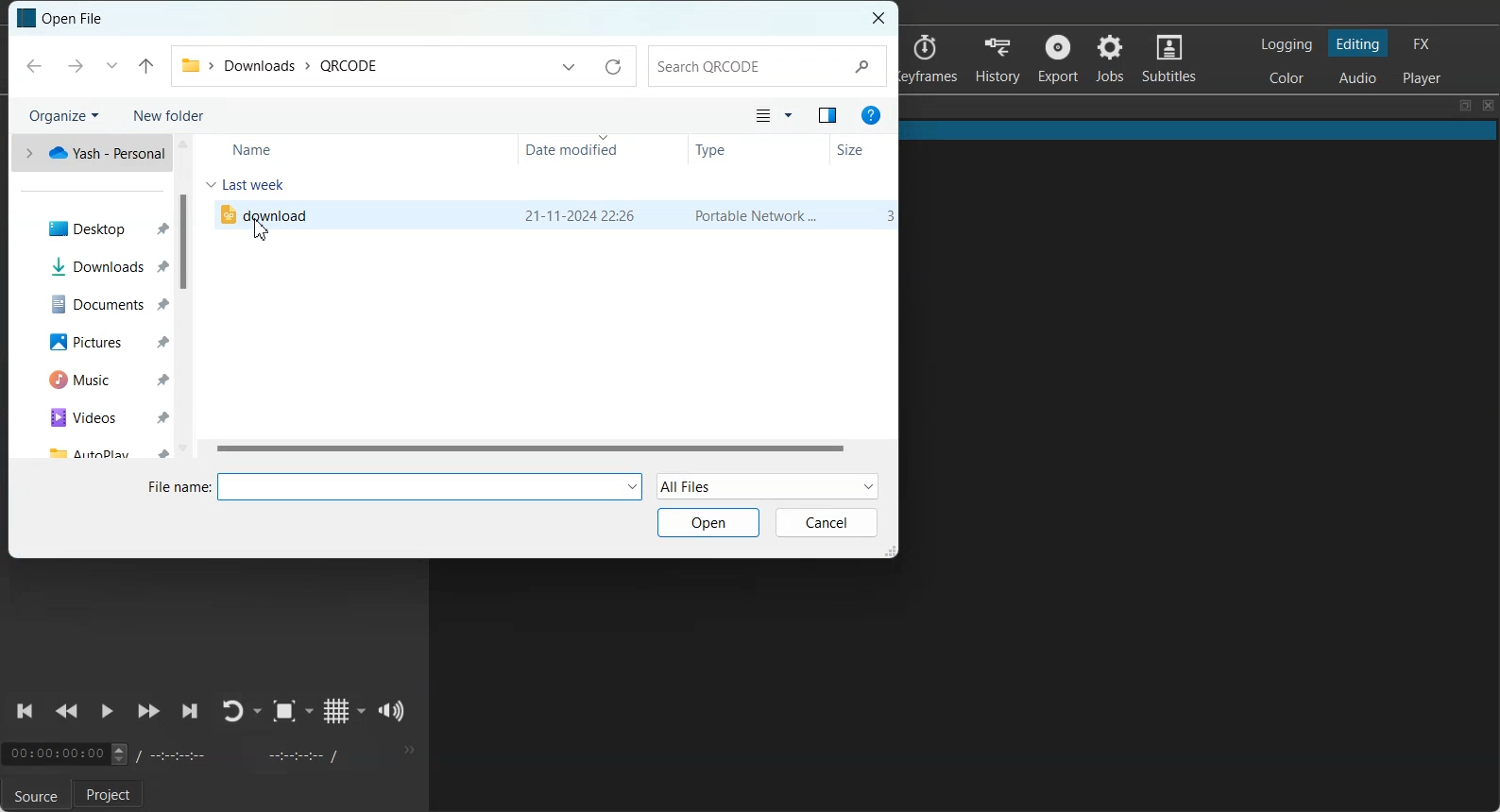 Image resolution: width=1500 pixels, height=812 pixels. Describe the element at coordinates (1358, 76) in the screenshot. I see `Switching to Audio Layout` at that location.